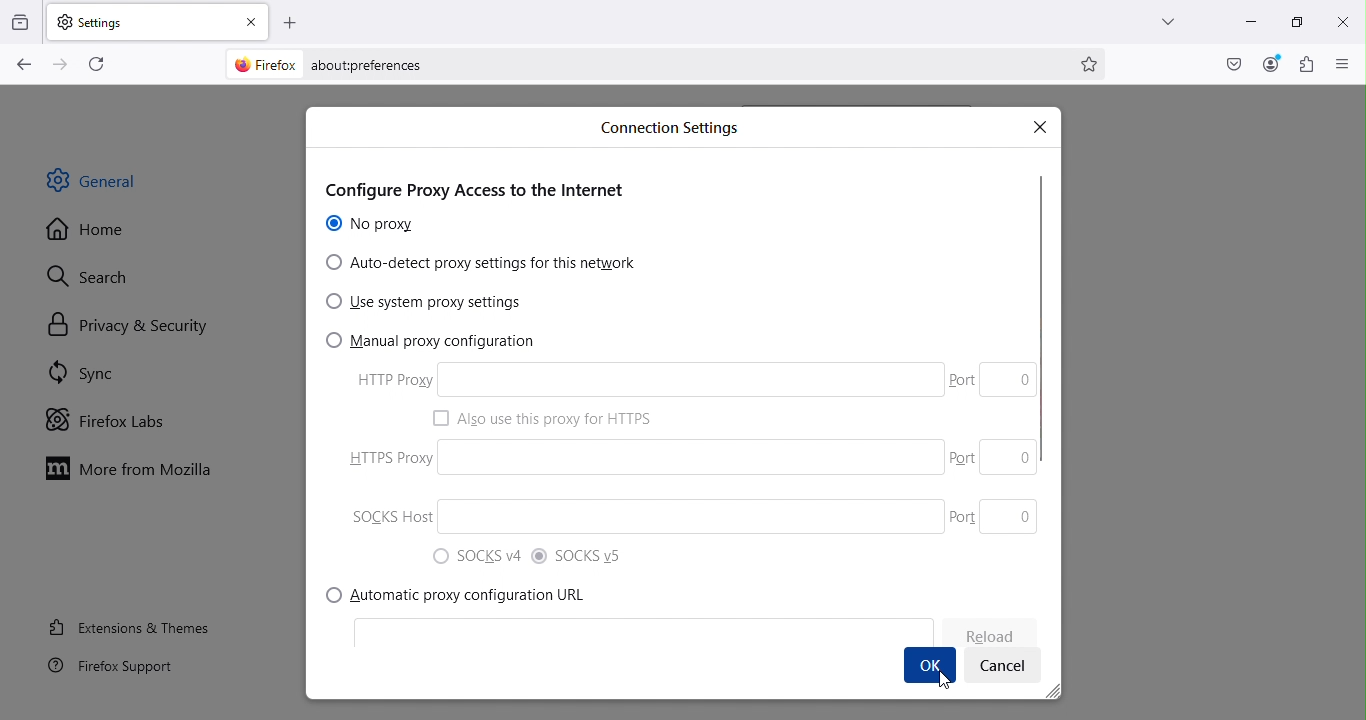  I want to click on port, so click(963, 378).